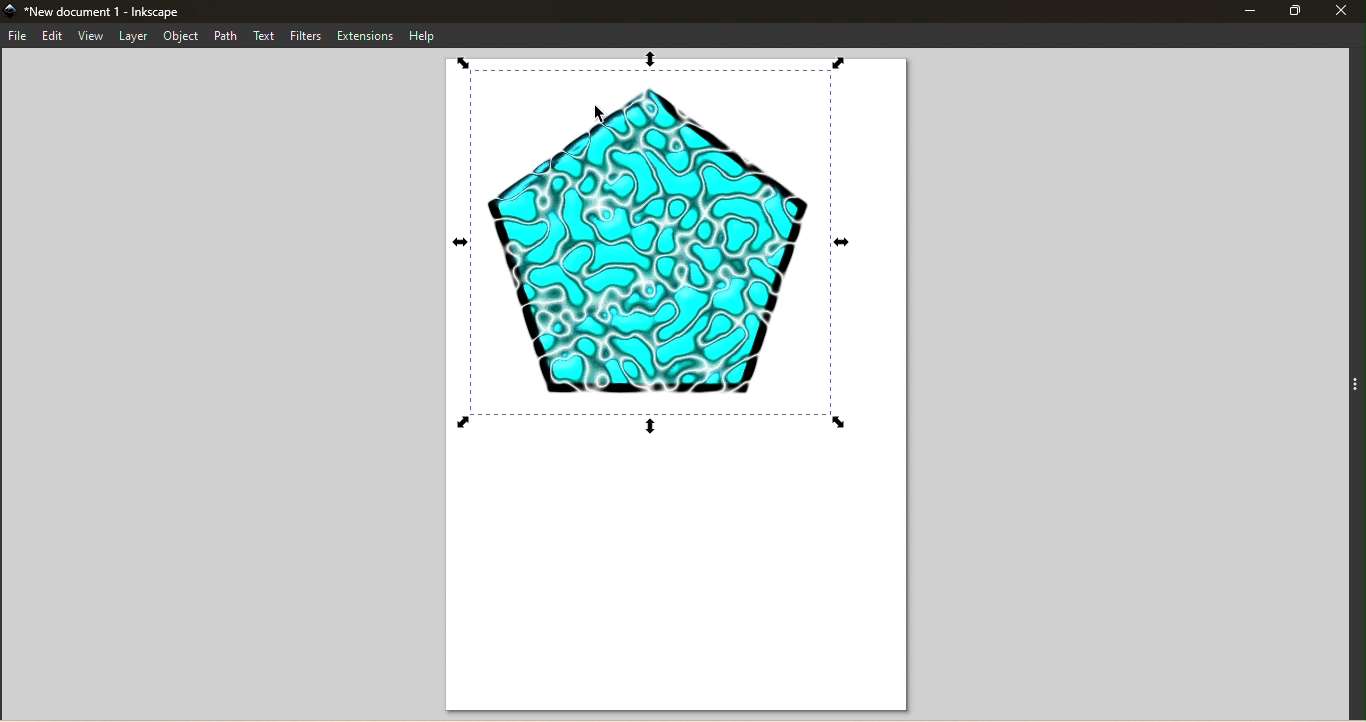 This screenshot has height=722, width=1366. I want to click on Layer, so click(133, 36).